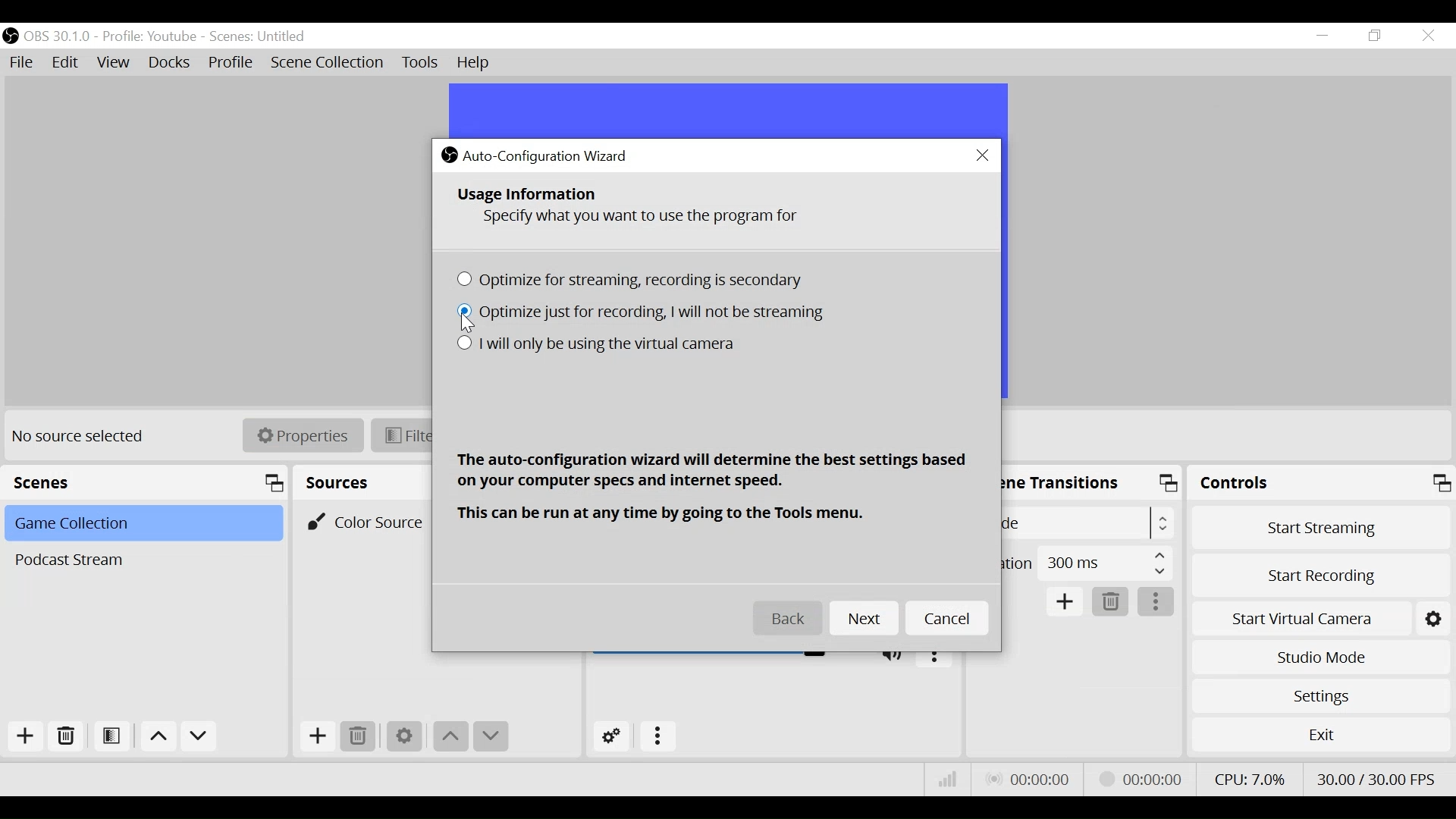 This screenshot has height=819, width=1456. What do you see at coordinates (1429, 36) in the screenshot?
I see `Close` at bounding box center [1429, 36].